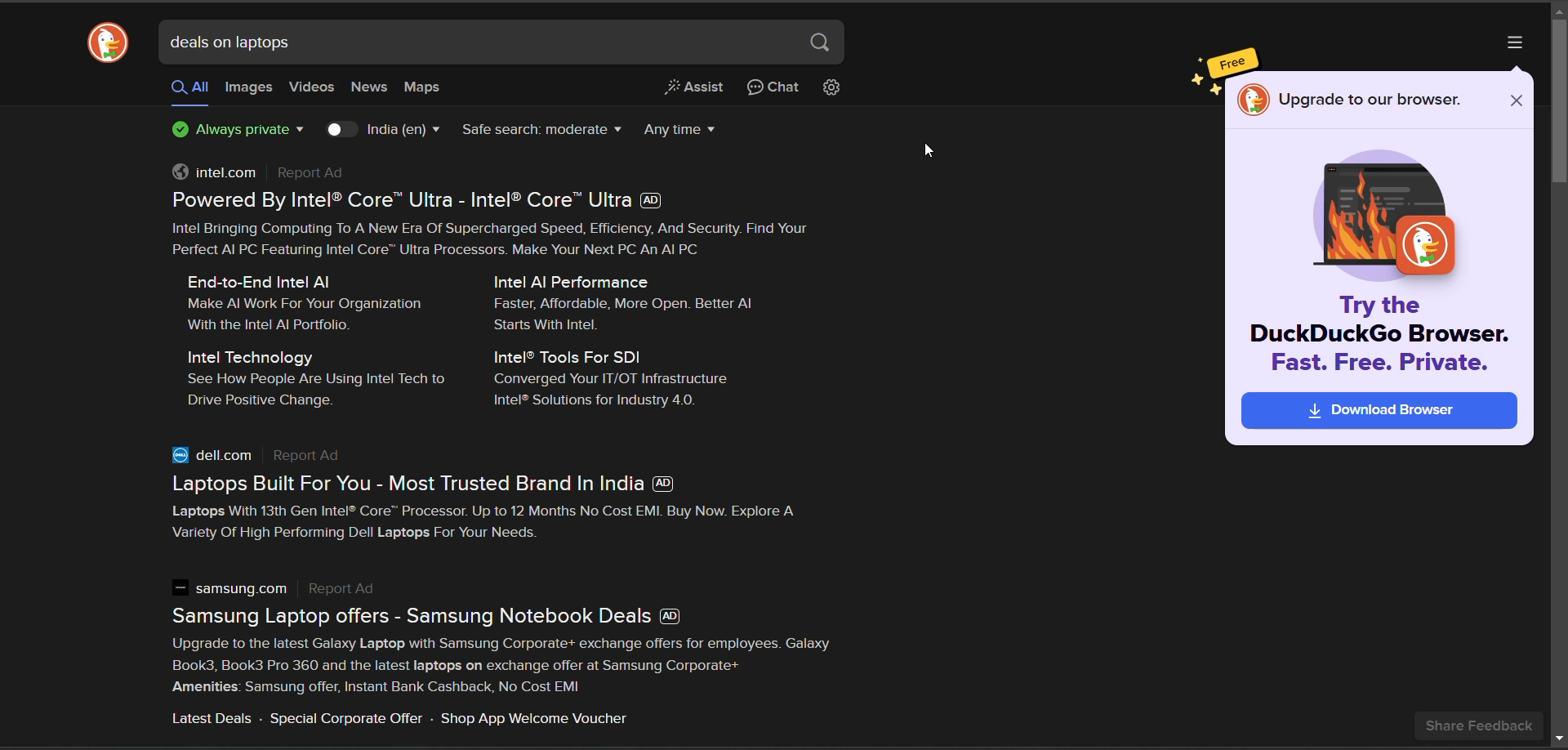 This screenshot has height=750, width=1568. Describe the element at coordinates (267, 173) in the screenshot. I see ` intel.com Report Ad` at that location.